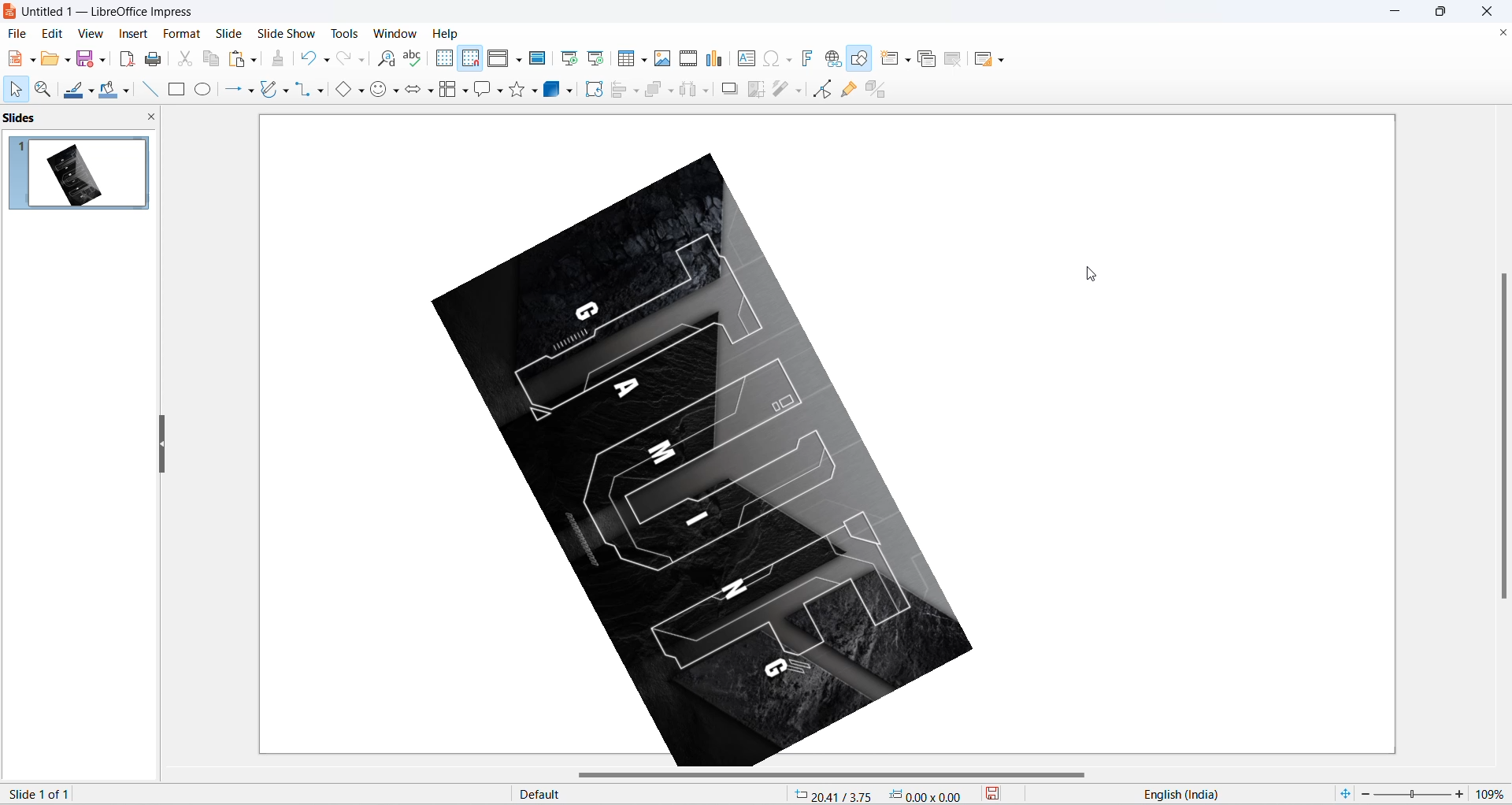 The width and height of the screenshot is (1512, 805). Describe the element at coordinates (448, 91) in the screenshot. I see `flowchart` at that location.